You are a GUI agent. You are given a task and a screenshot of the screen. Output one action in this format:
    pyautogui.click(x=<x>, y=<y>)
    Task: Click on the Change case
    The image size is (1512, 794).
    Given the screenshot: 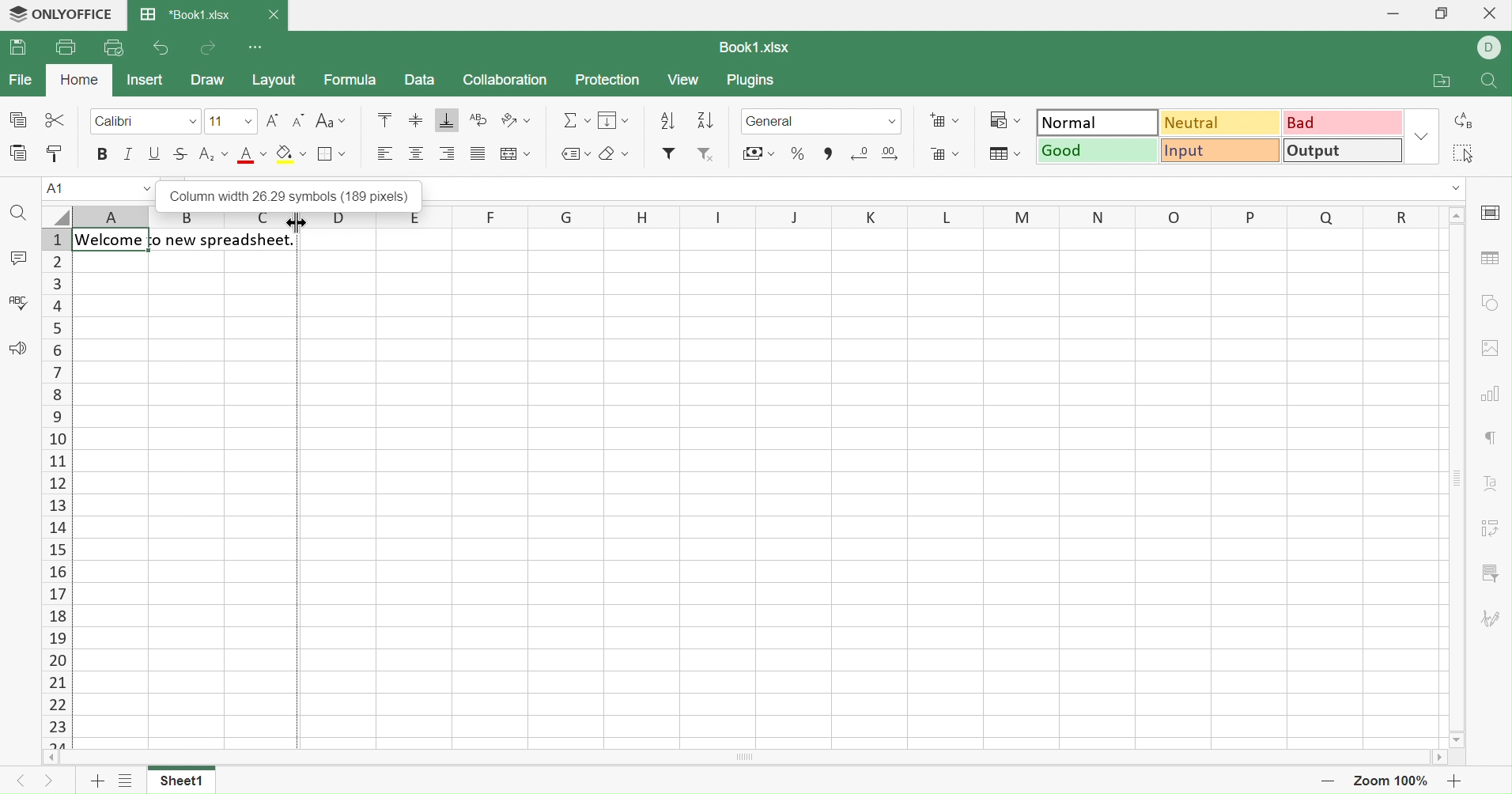 What is the action you would take?
    pyautogui.click(x=332, y=120)
    